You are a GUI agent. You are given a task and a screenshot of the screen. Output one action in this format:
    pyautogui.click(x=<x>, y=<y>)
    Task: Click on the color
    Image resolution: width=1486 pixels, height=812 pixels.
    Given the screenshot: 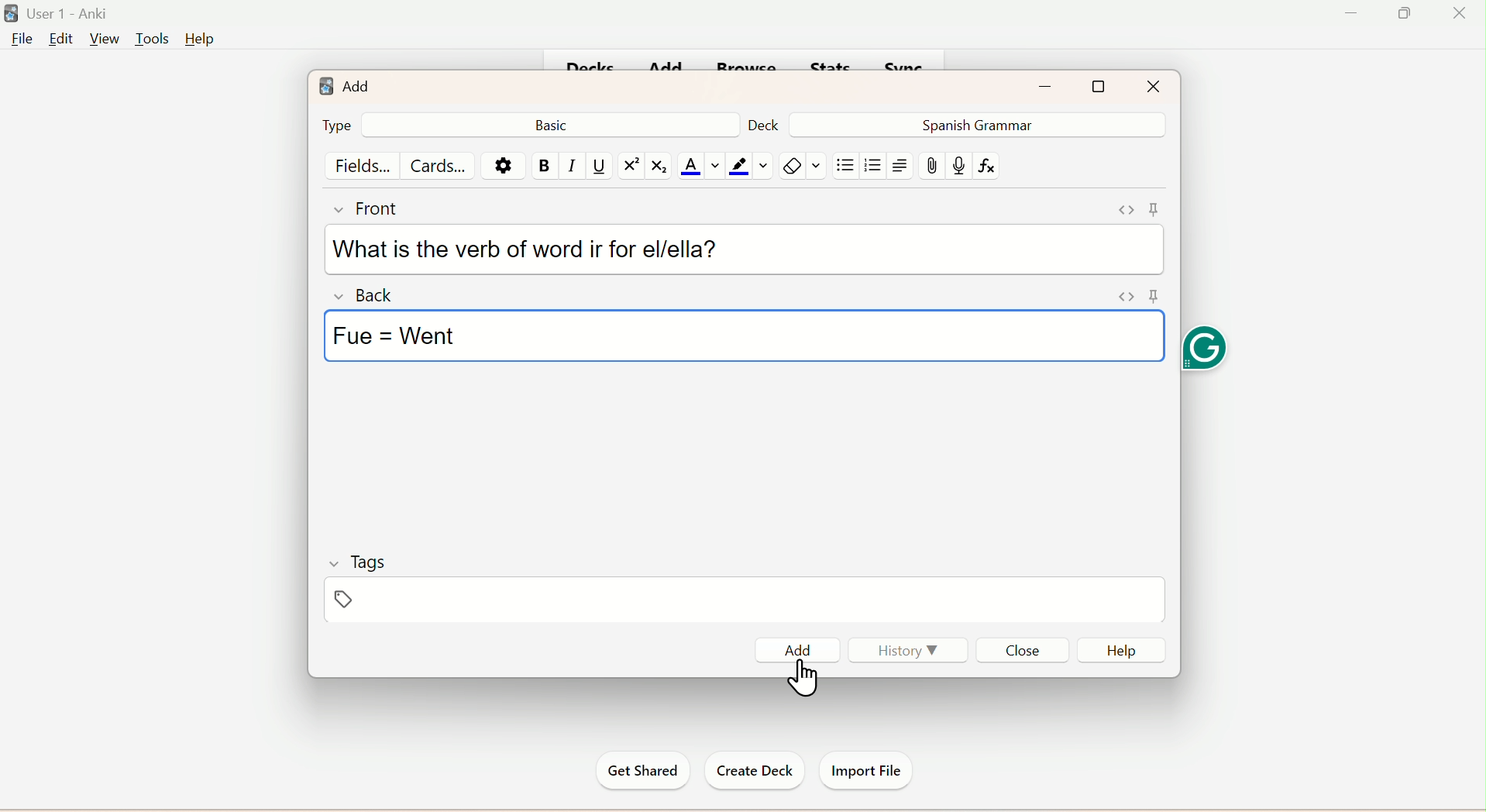 What is the action you would take?
    pyautogui.click(x=747, y=166)
    